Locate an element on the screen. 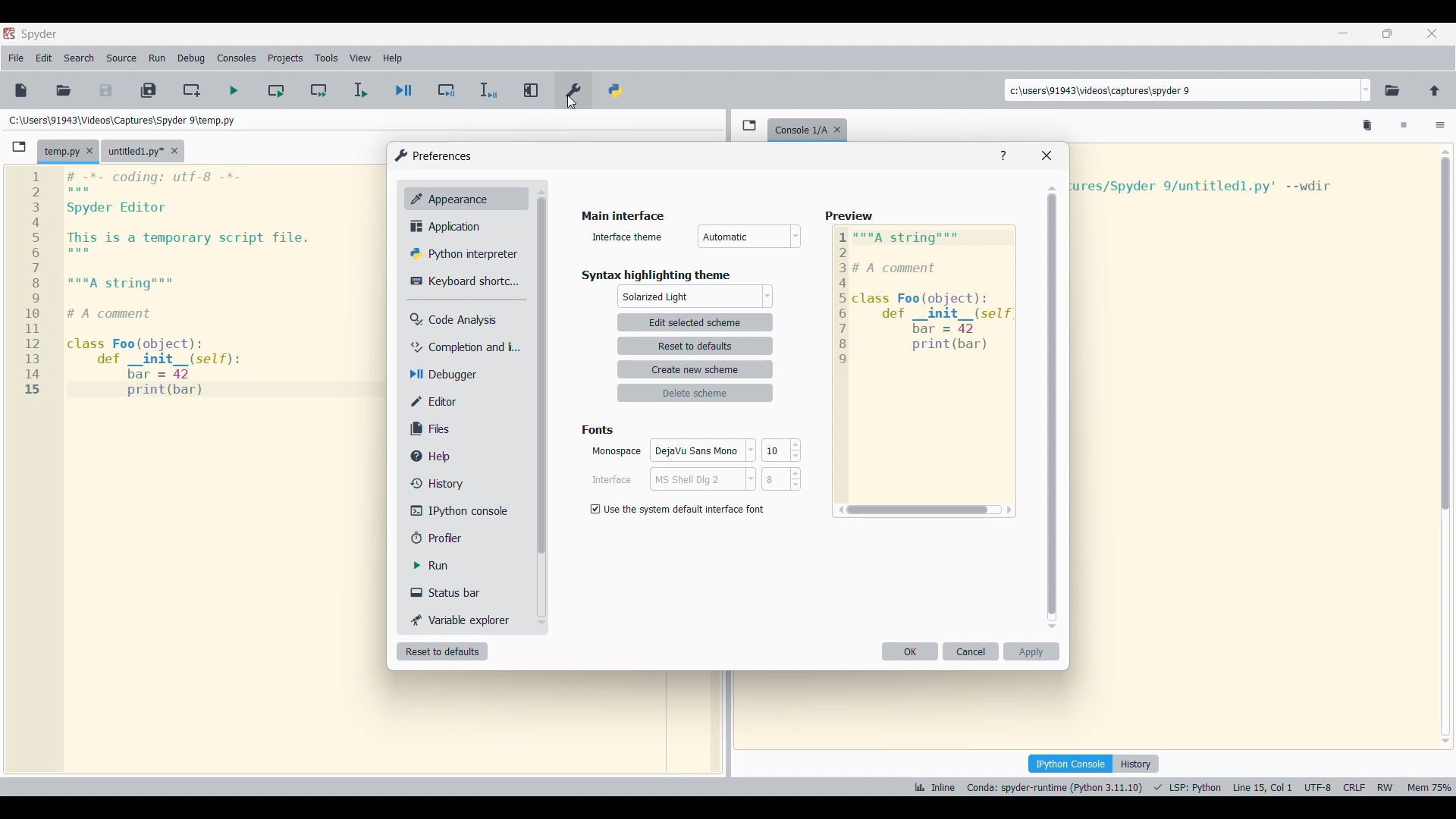  Keyboard shortcuts is located at coordinates (464, 281).